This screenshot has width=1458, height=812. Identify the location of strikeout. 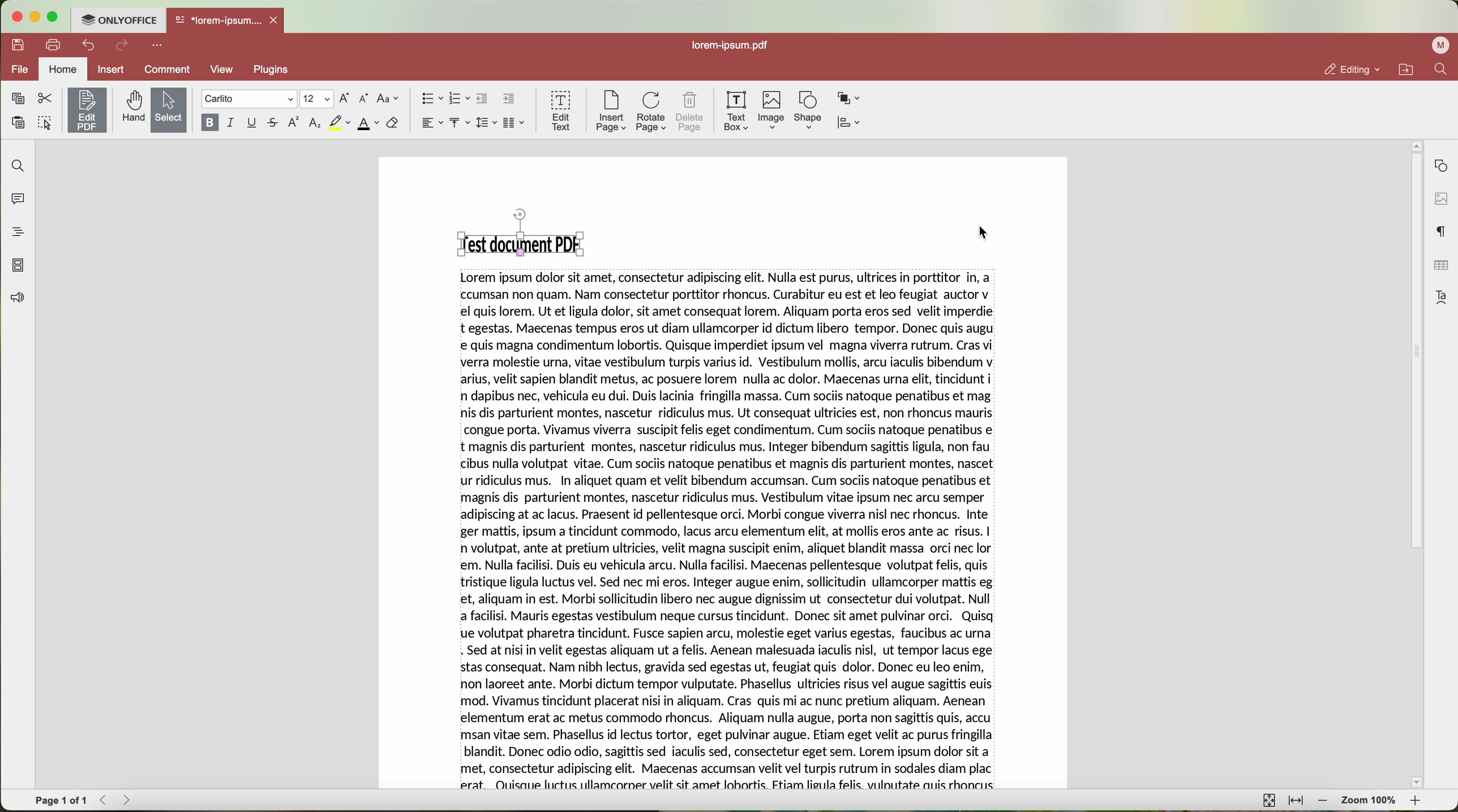
(275, 123).